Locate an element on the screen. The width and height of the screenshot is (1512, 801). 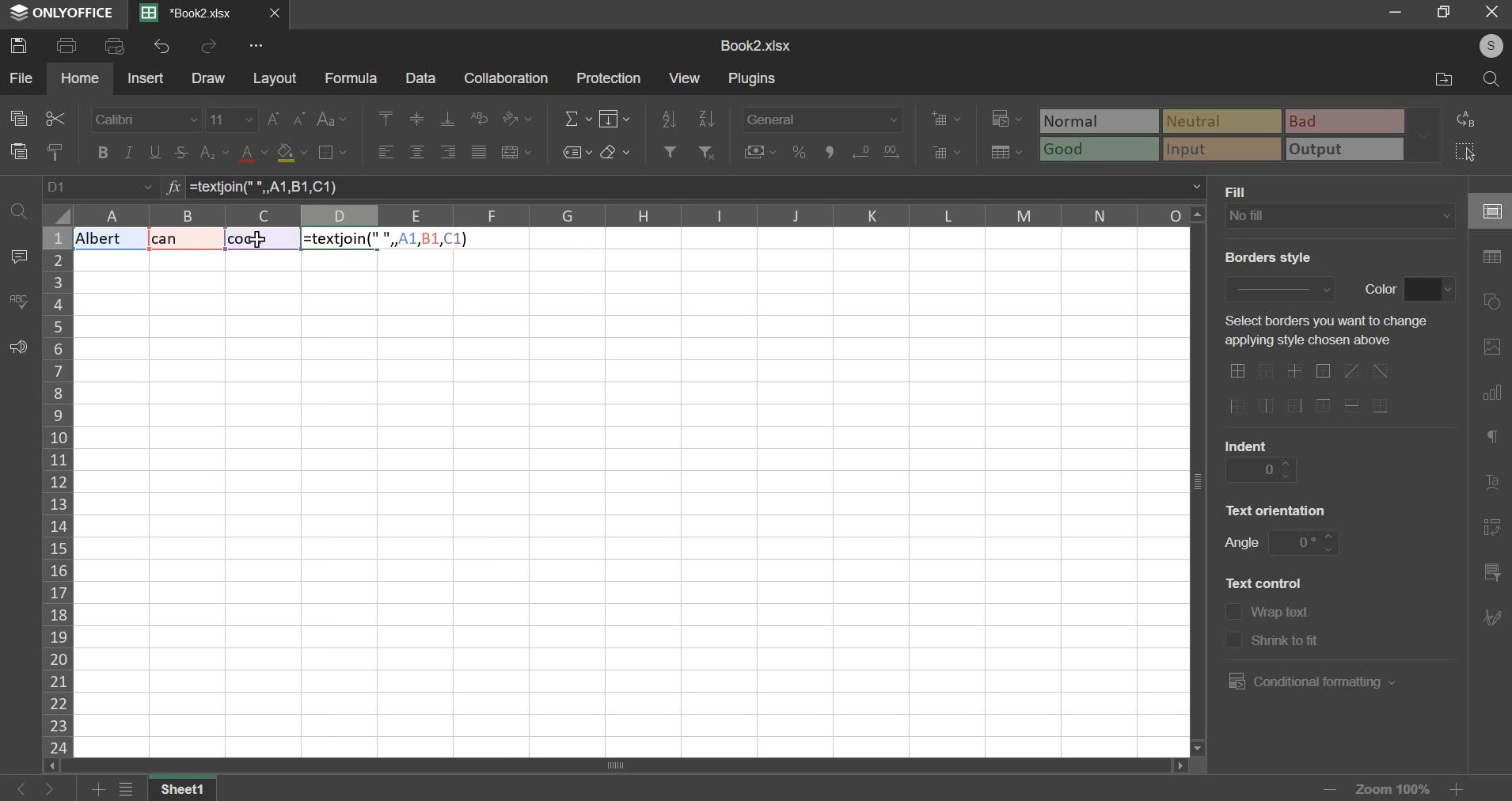
search is located at coordinates (1494, 79).